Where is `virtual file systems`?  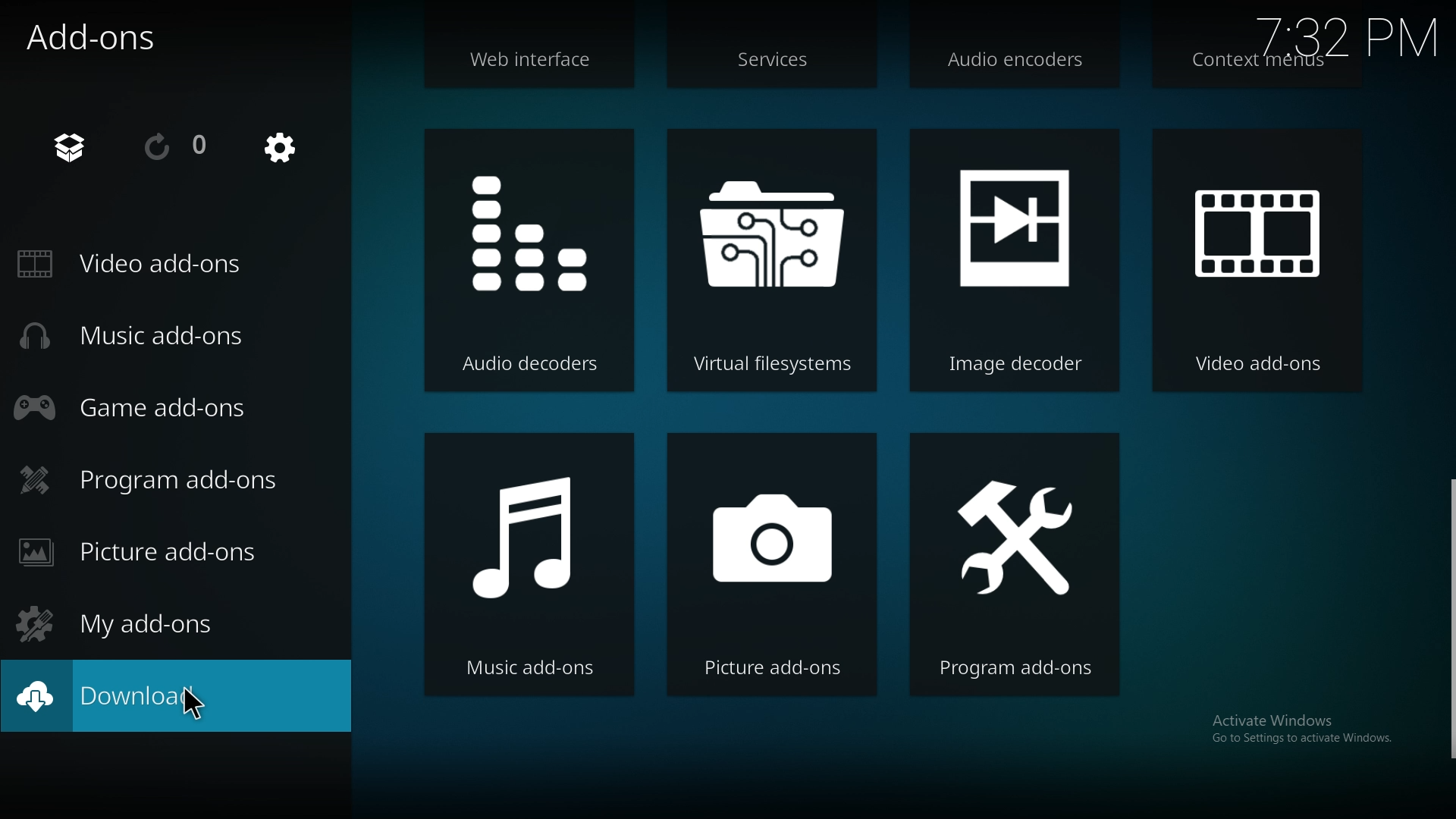 virtual file systems is located at coordinates (772, 258).